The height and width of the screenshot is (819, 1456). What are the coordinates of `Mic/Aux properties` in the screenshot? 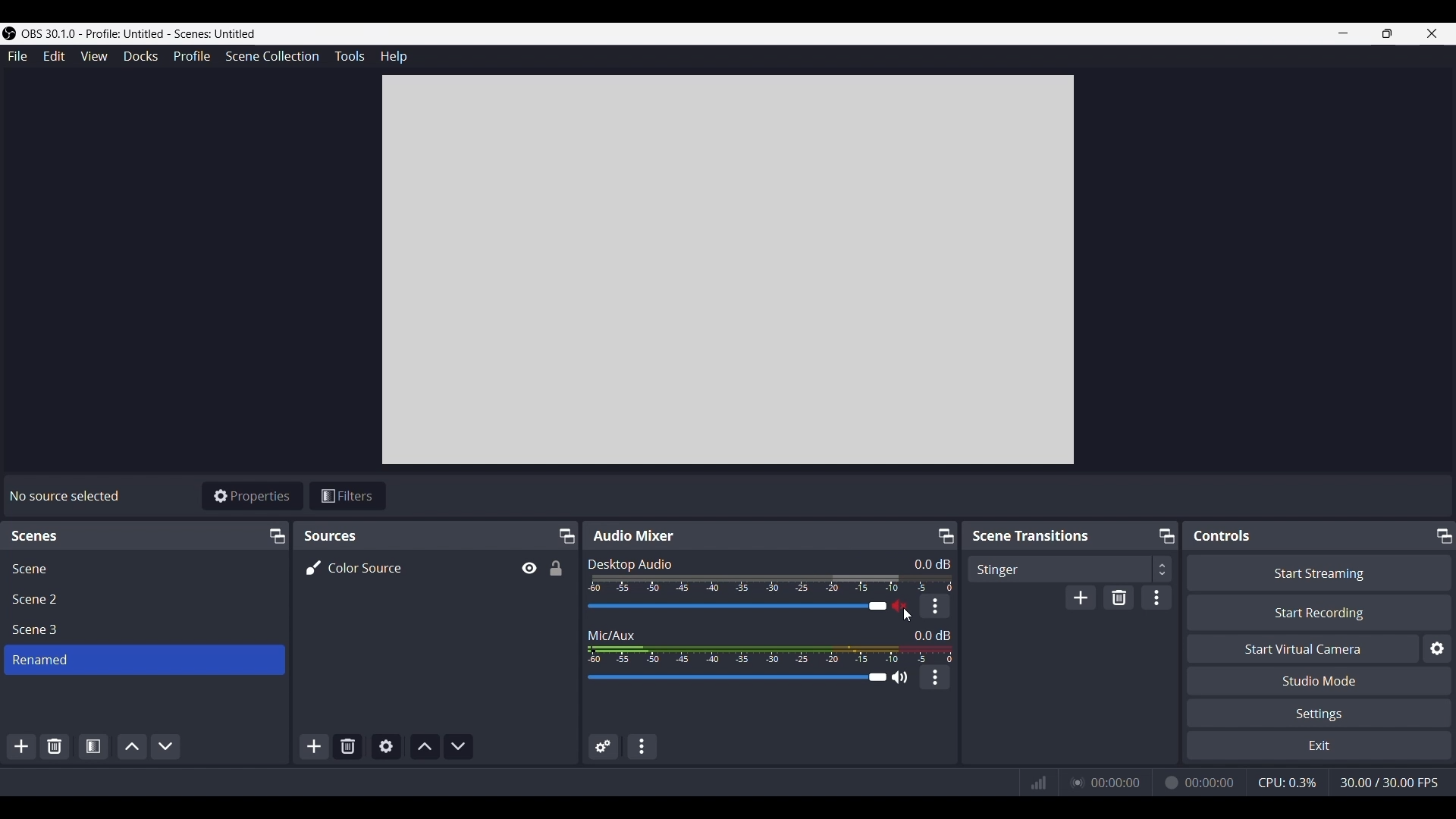 It's located at (934, 677).